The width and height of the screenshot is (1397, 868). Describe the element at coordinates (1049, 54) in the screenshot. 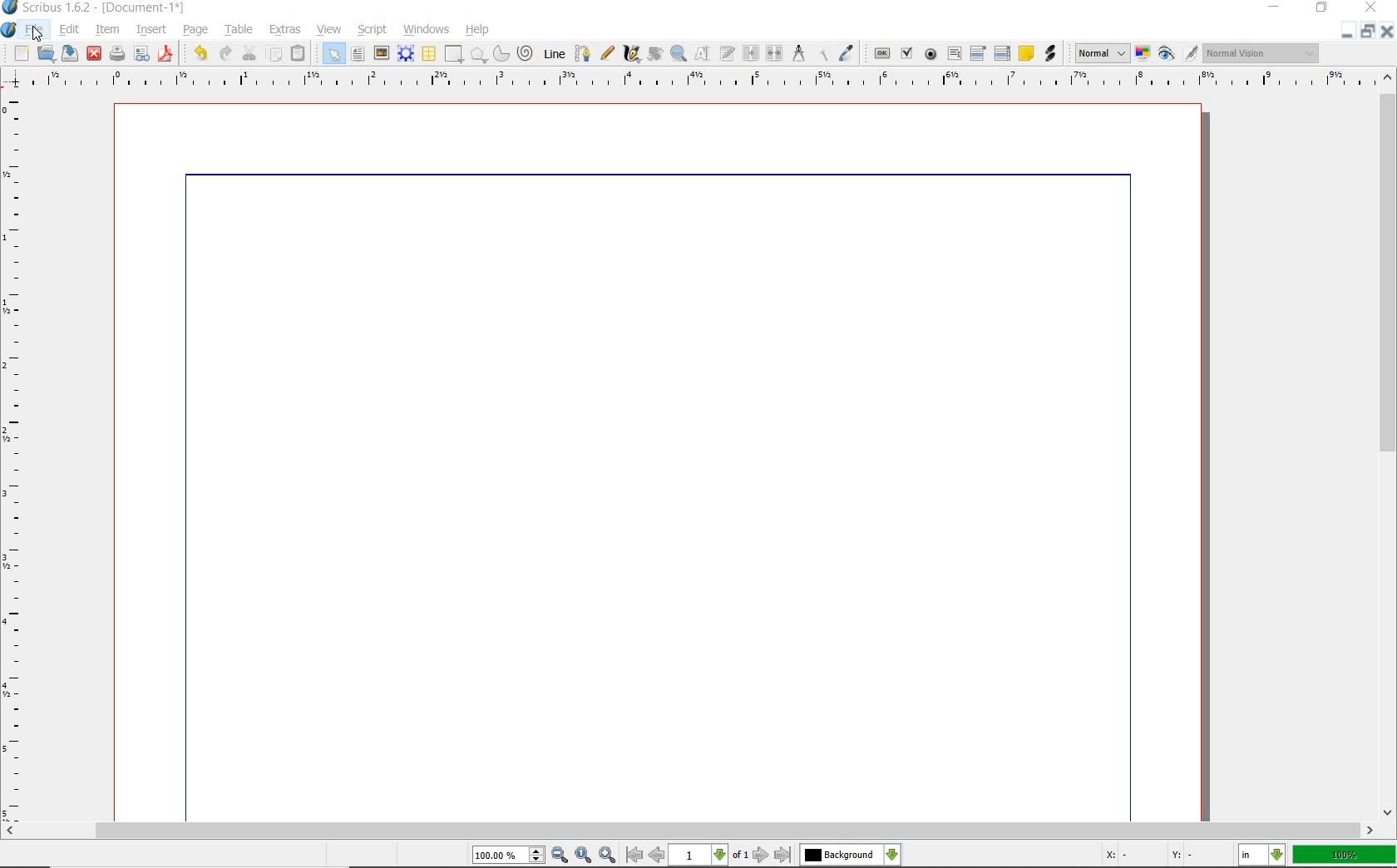

I see `link annotation` at that location.